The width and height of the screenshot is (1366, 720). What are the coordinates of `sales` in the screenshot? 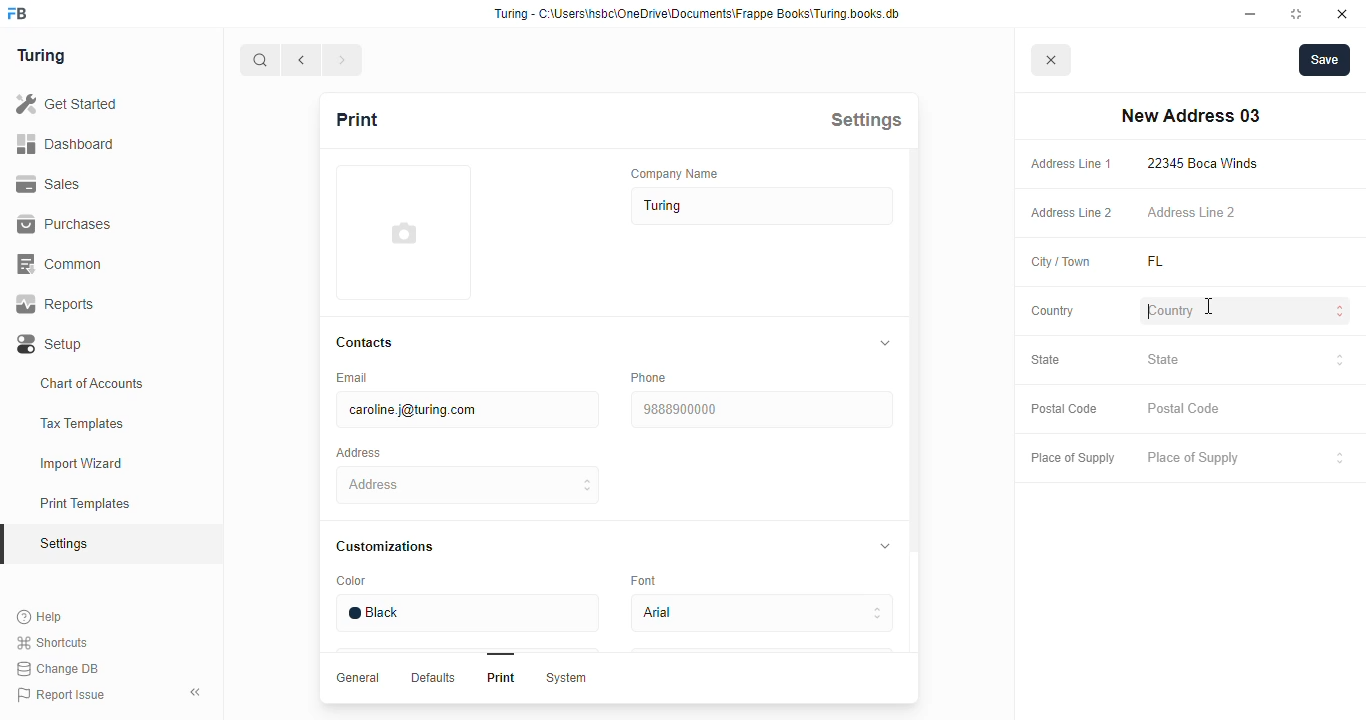 It's located at (52, 184).